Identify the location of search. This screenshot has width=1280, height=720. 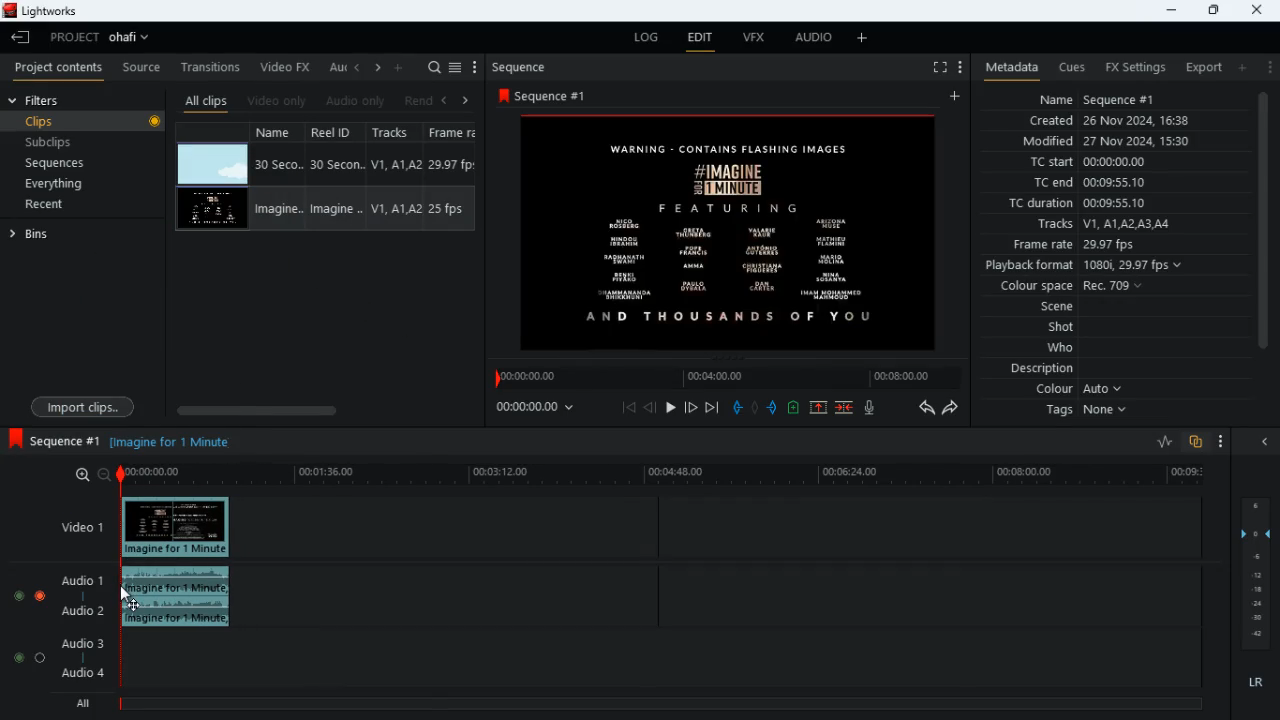
(434, 68).